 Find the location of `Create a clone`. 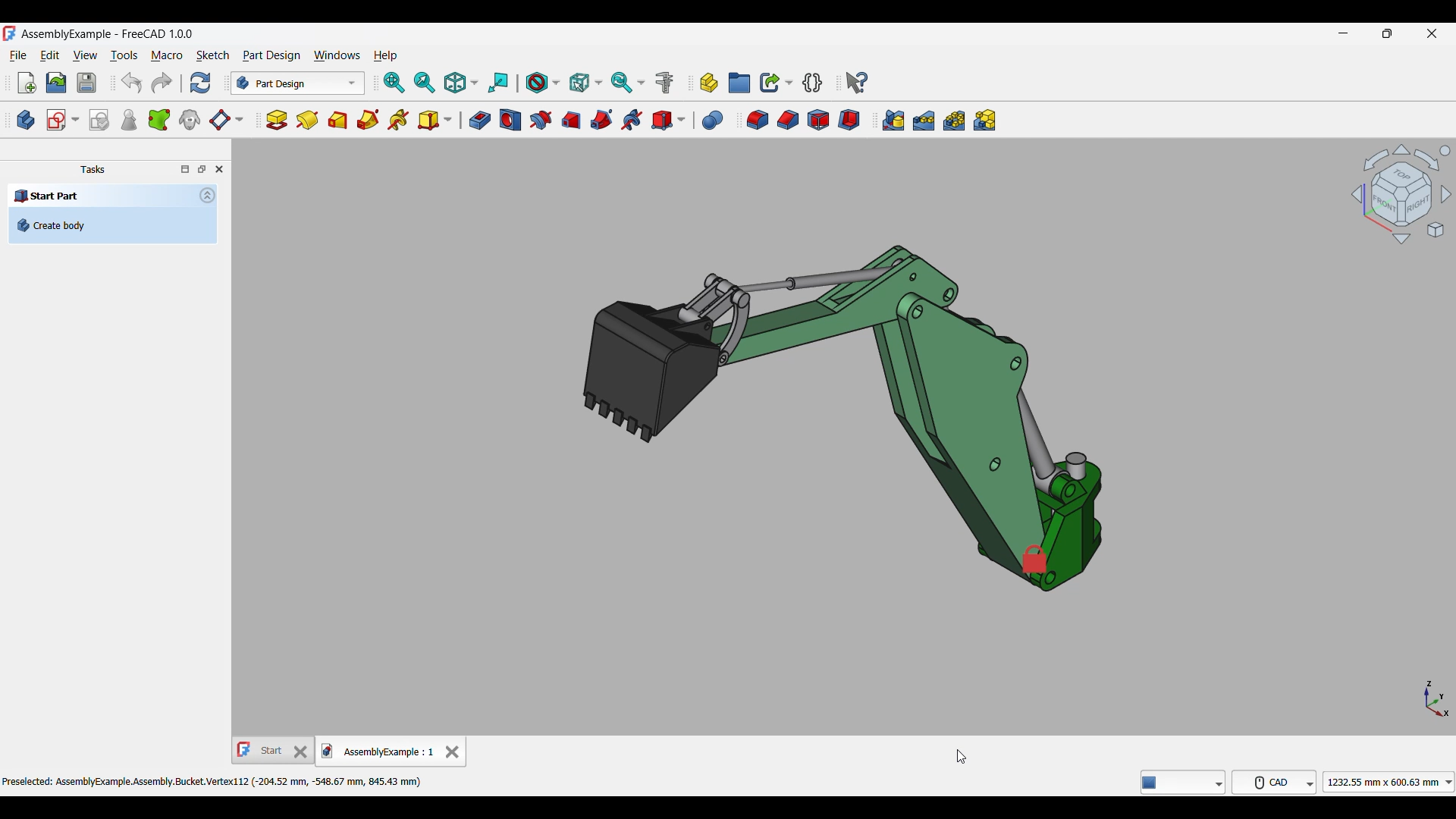

Create a clone is located at coordinates (190, 119).